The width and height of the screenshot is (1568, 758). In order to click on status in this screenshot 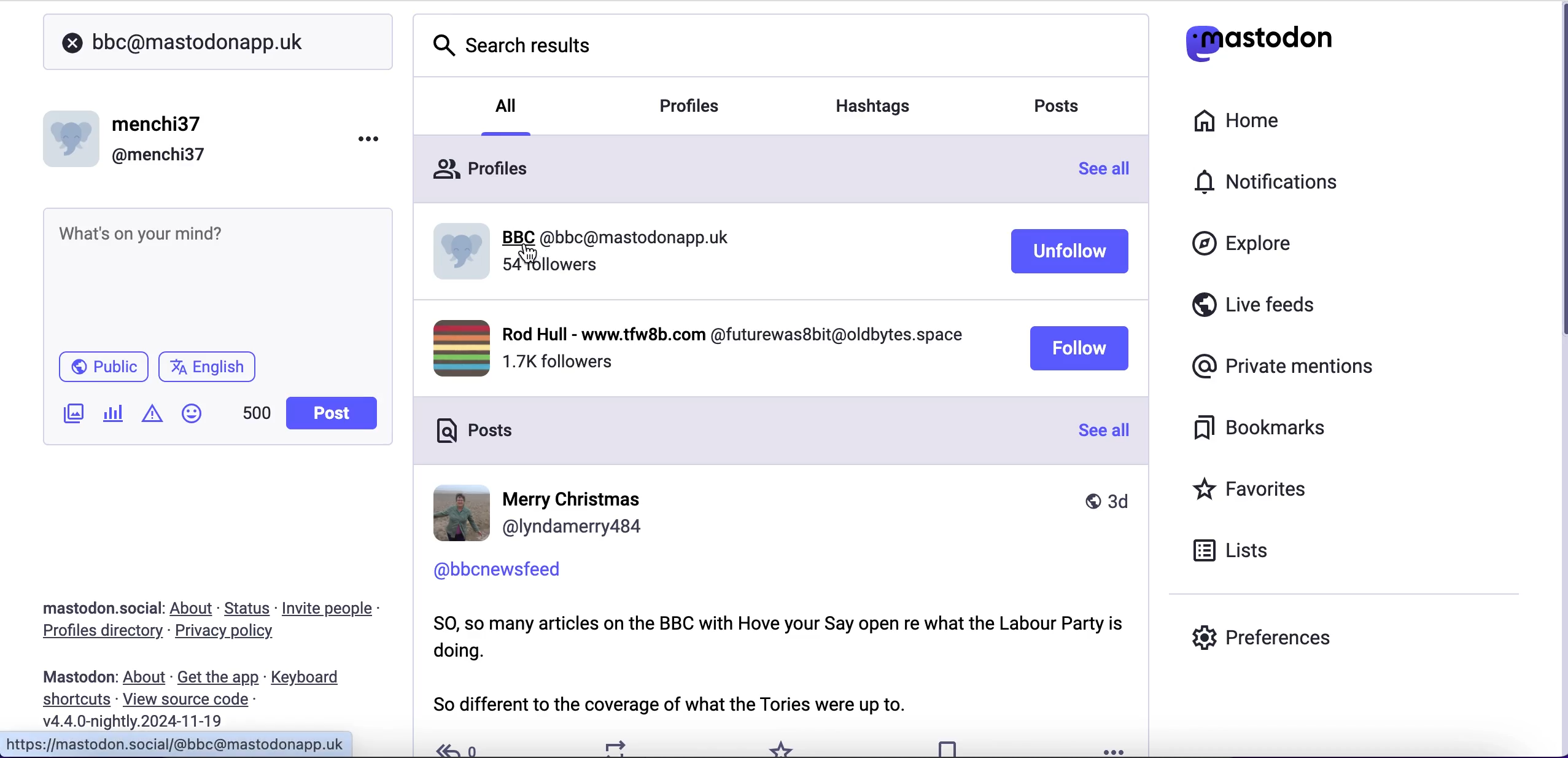, I will do `click(249, 608)`.